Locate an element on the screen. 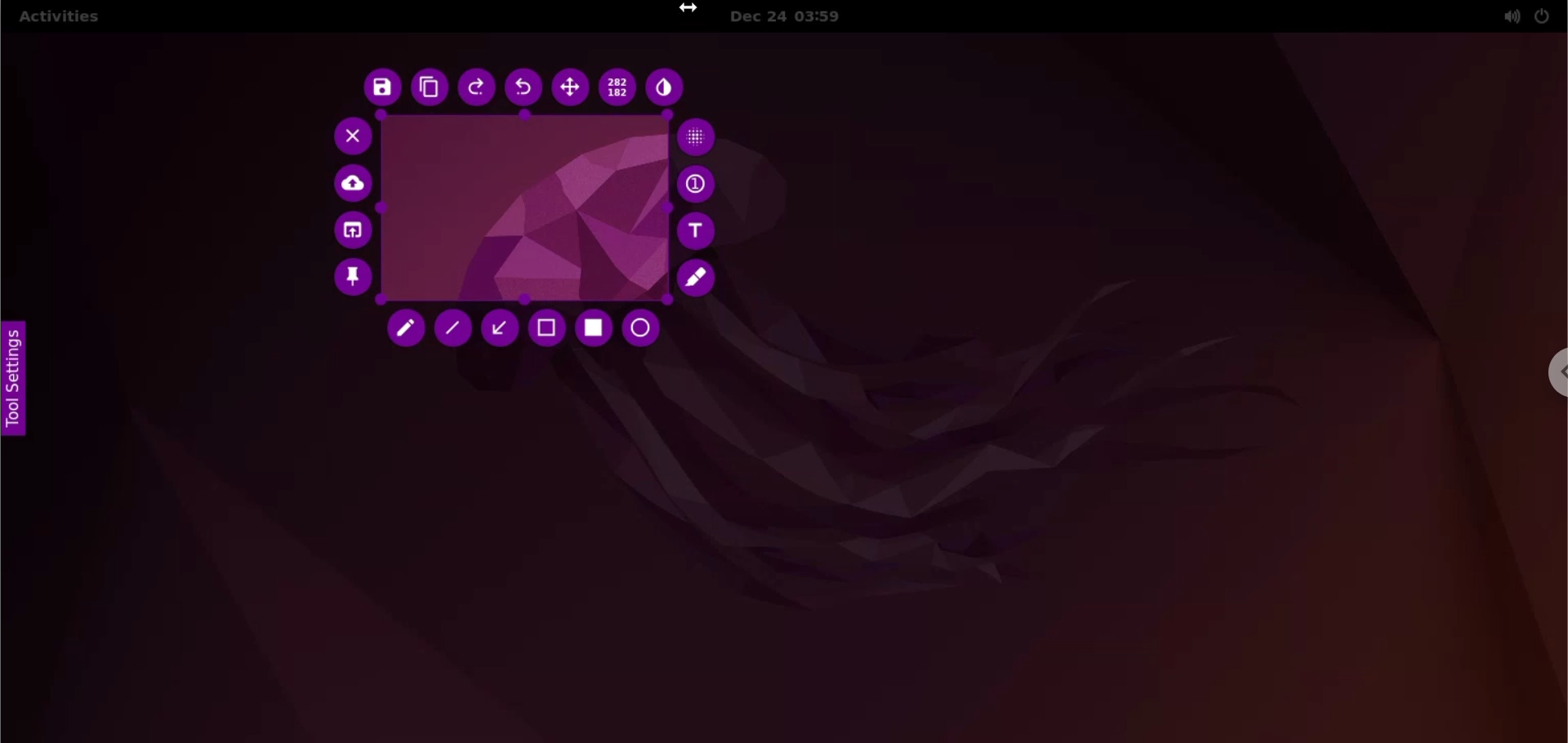  circle is located at coordinates (653, 331).